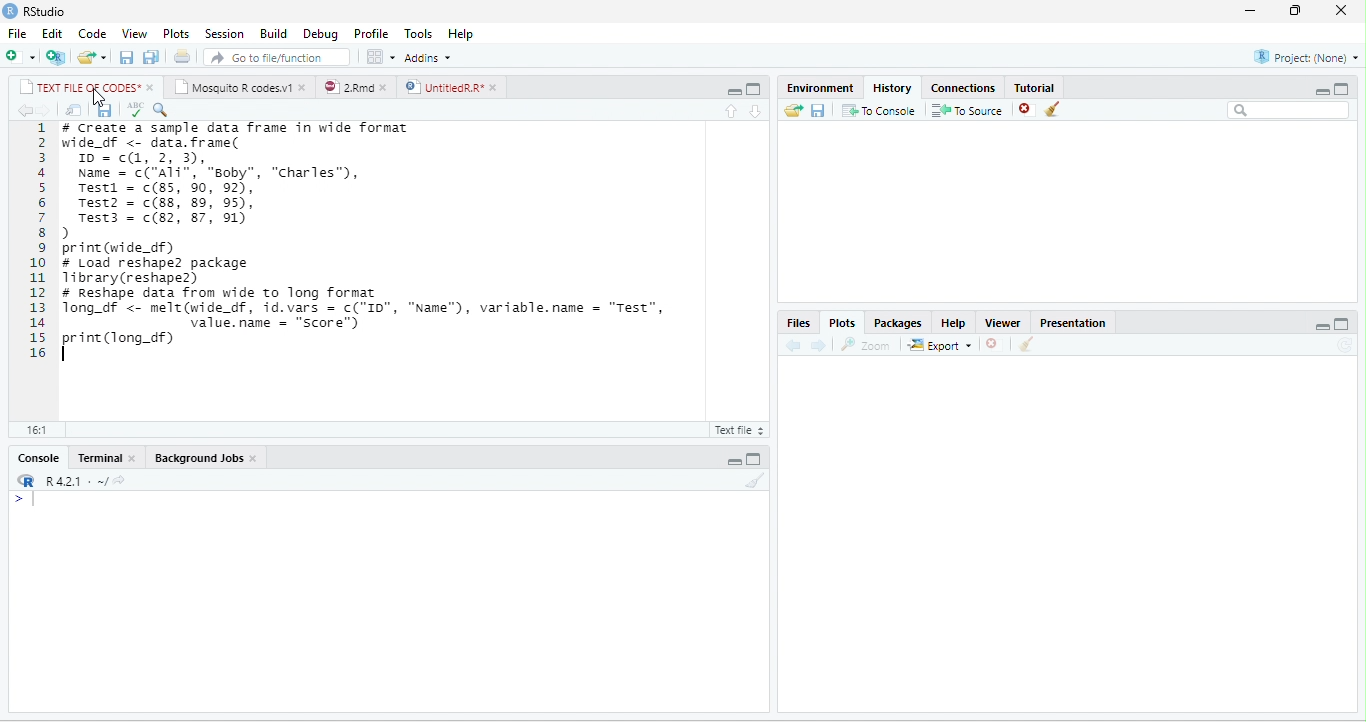 This screenshot has width=1366, height=722. What do you see at coordinates (1003, 323) in the screenshot?
I see `Viewer` at bounding box center [1003, 323].